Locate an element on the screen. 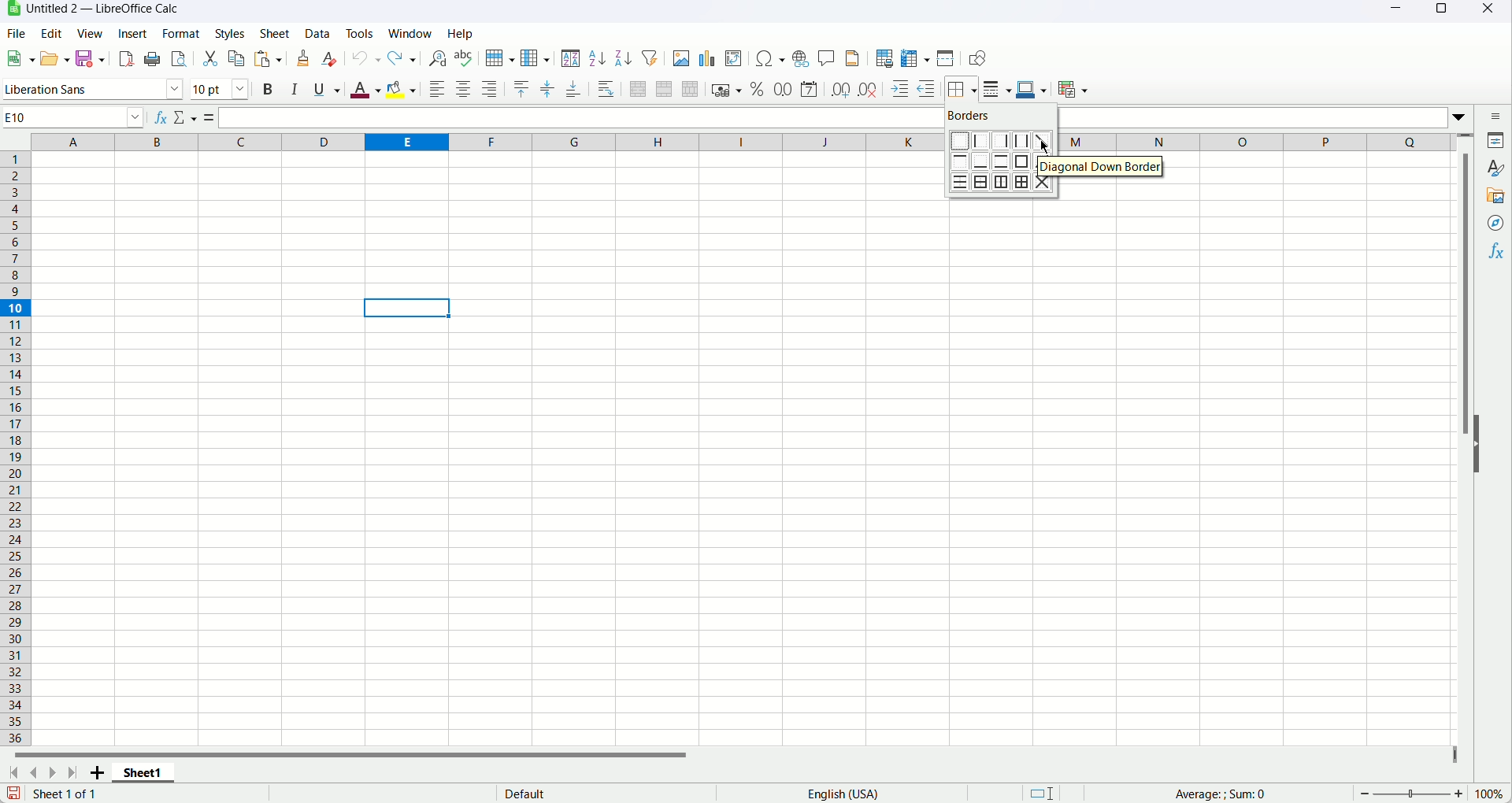  Formula is located at coordinates (212, 117).